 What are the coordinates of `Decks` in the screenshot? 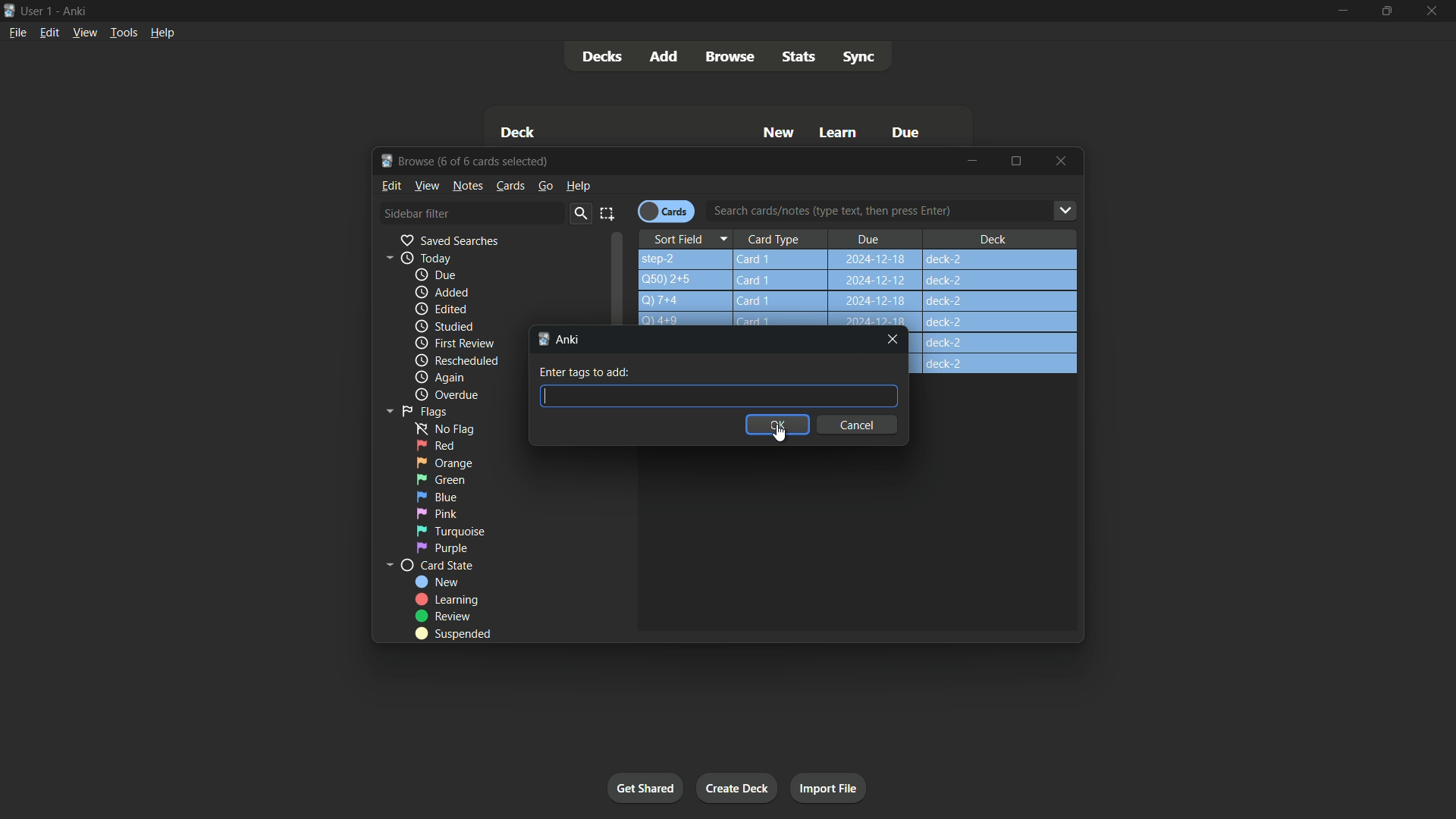 It's located at (603, 57).